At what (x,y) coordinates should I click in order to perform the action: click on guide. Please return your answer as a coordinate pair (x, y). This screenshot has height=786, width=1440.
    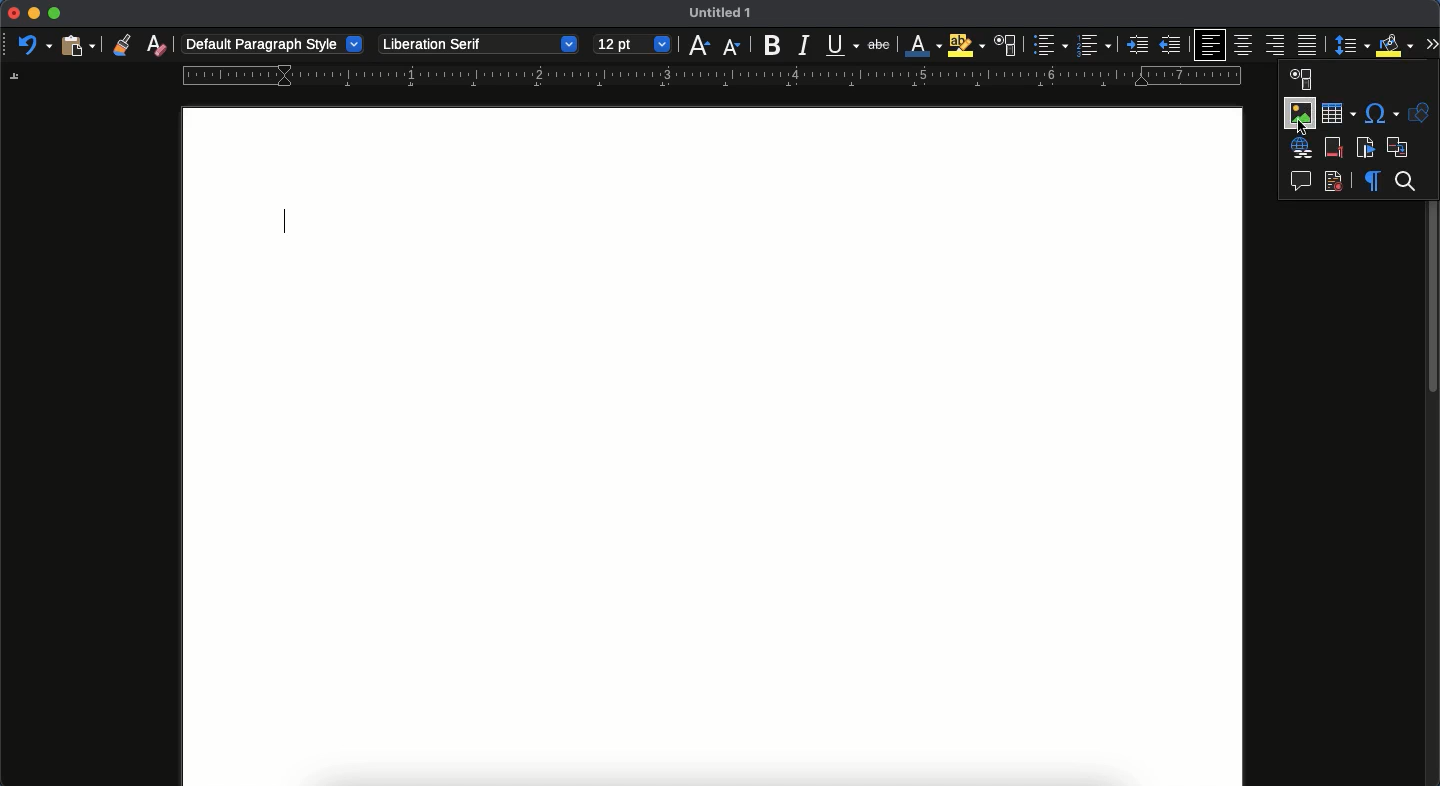
    Looking at the image, I should click on (711, 76).